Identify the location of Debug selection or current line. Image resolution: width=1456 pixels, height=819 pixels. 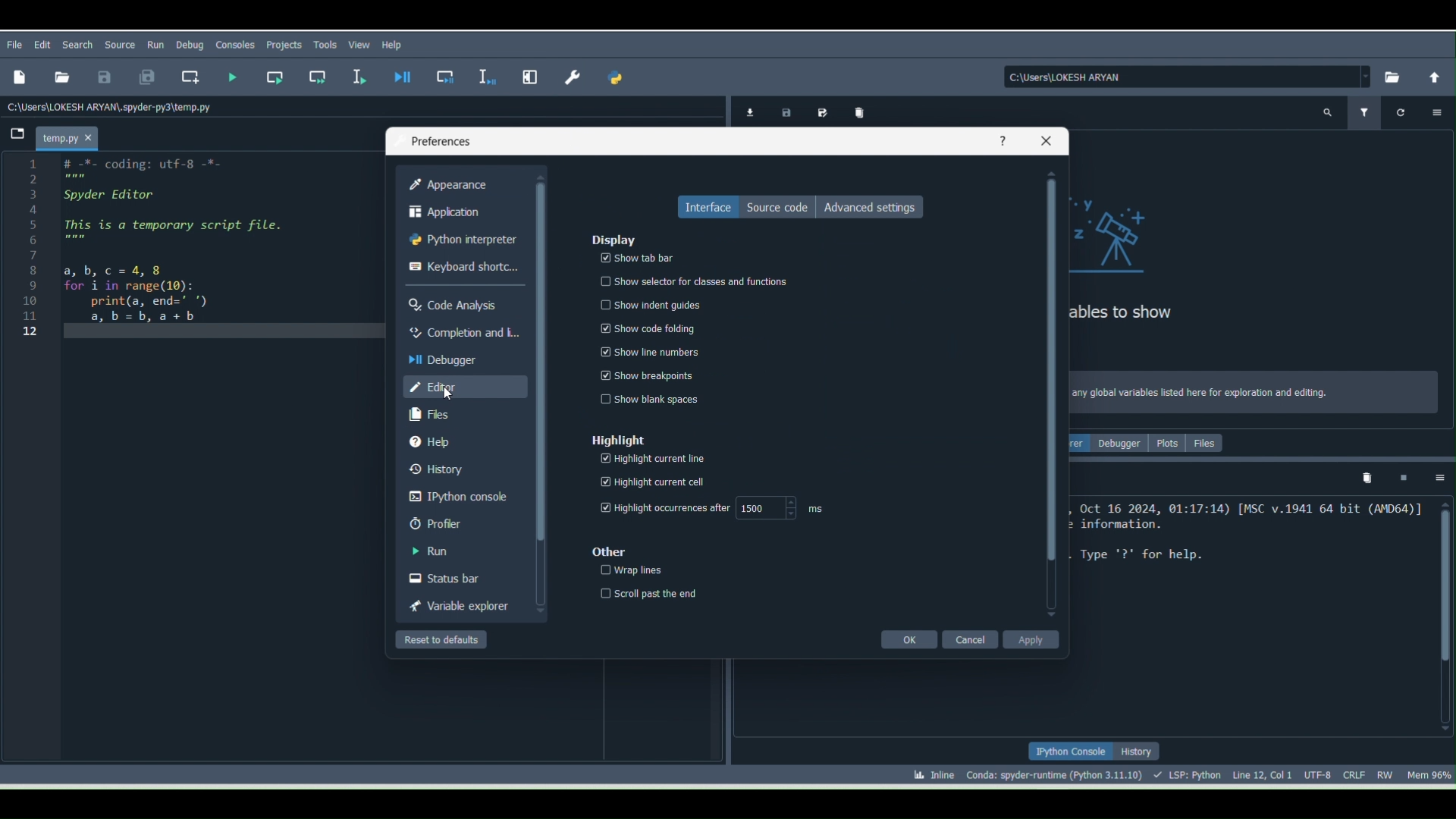
(485, 74).